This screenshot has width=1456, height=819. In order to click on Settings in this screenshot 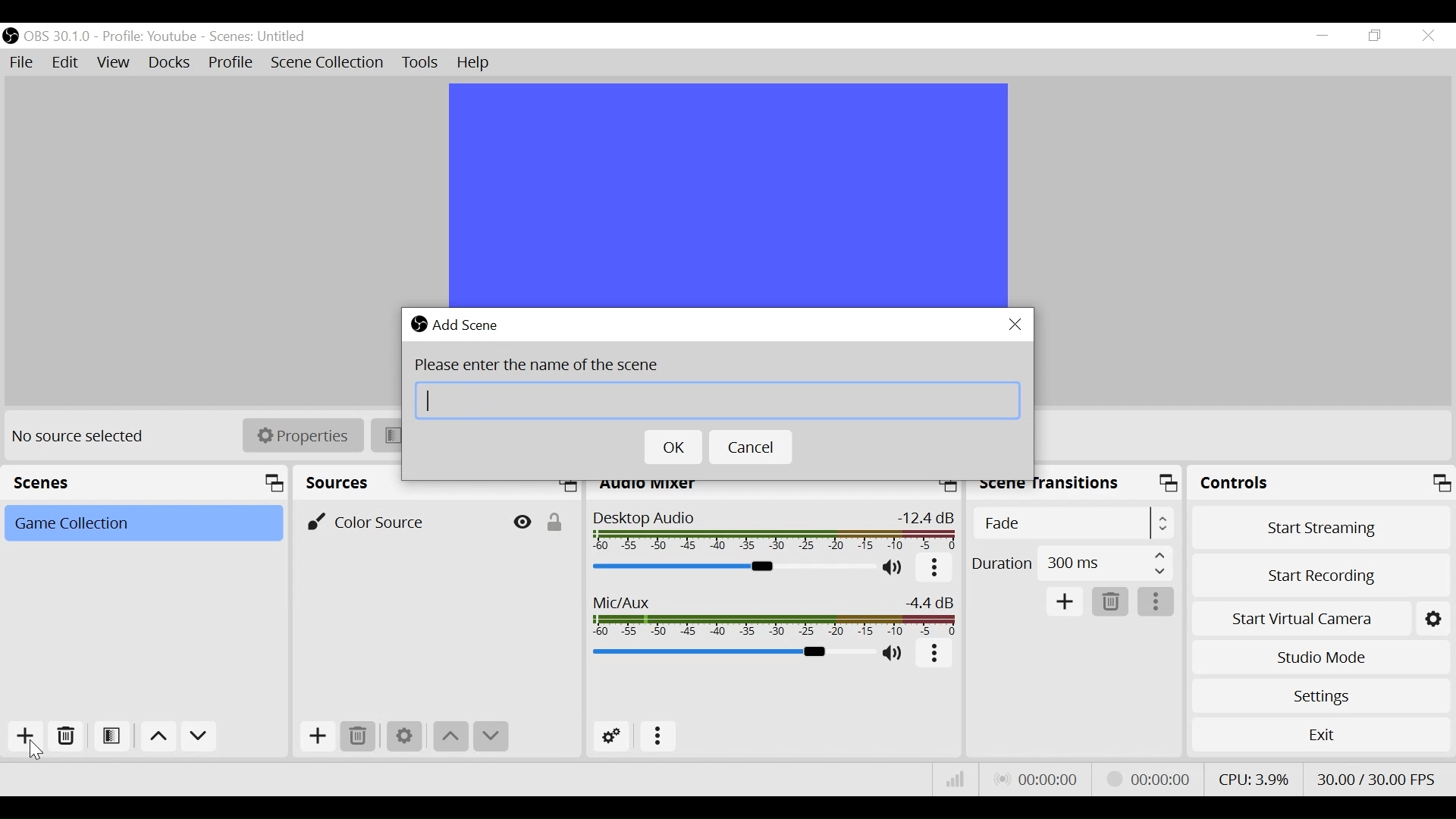, I will do `click(1320, 695)`.